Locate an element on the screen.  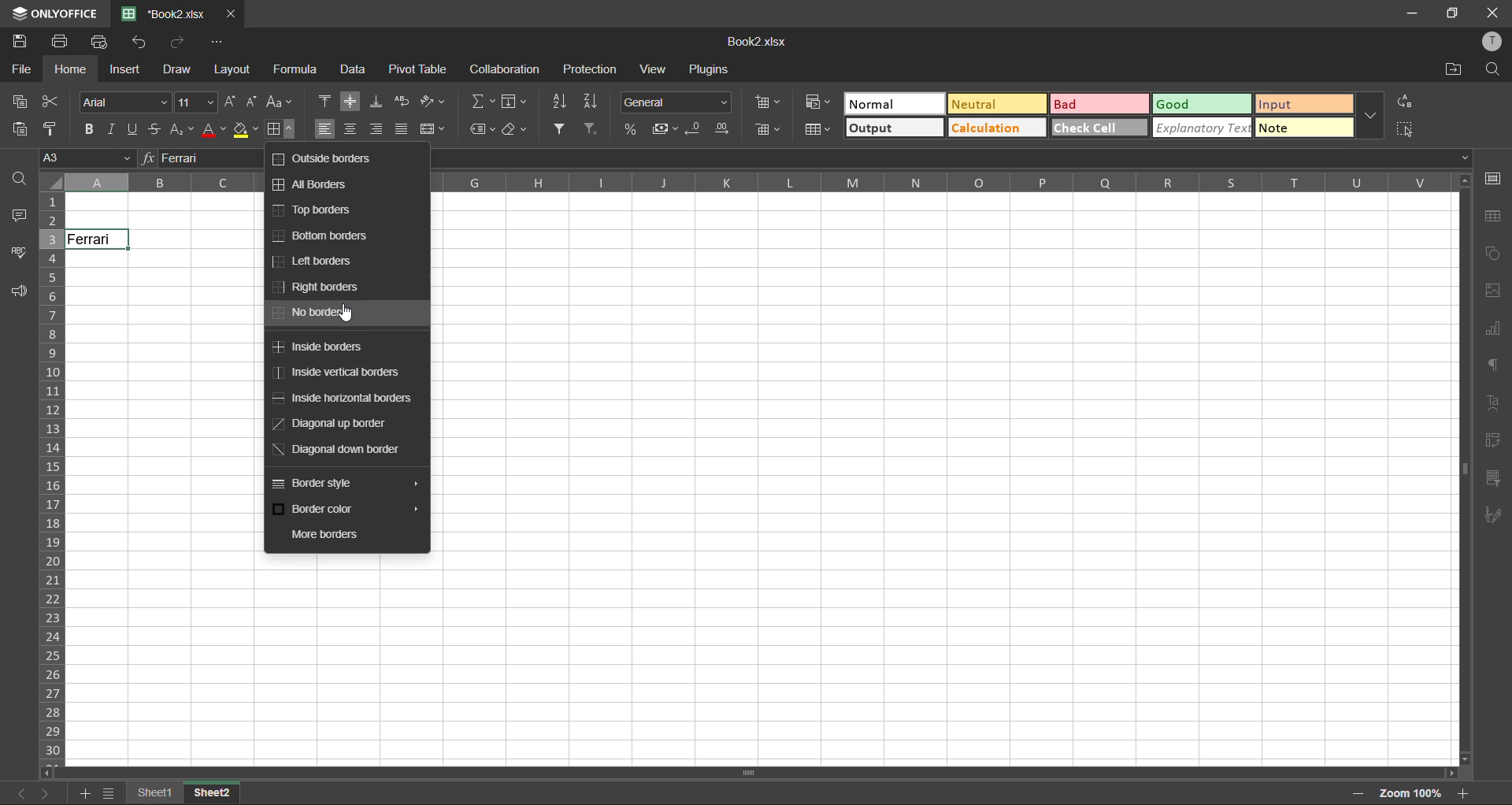
inside borders is located at coordinates (326, 349).